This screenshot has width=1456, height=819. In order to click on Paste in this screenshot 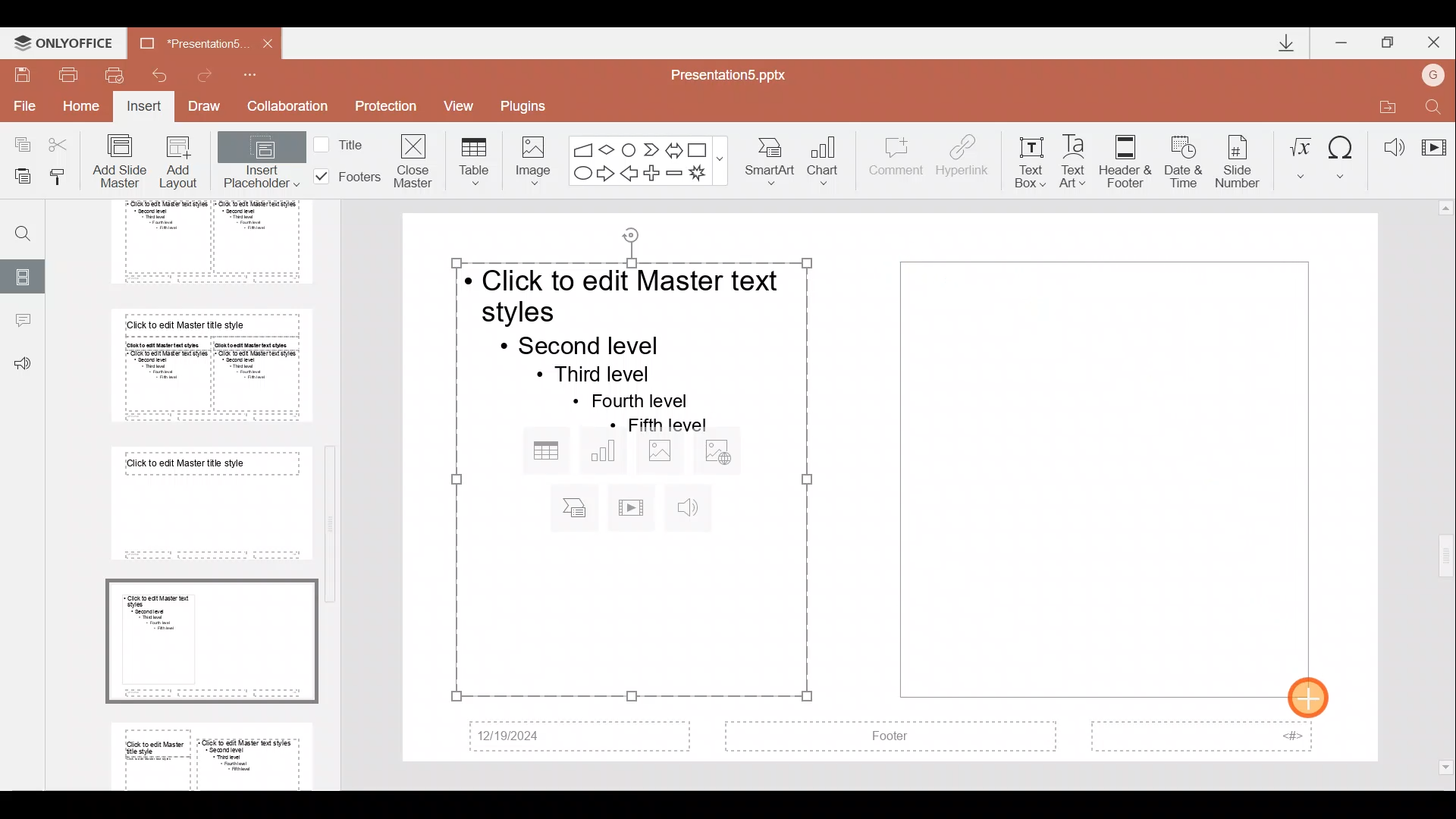, I will do `click(22, 178)`.